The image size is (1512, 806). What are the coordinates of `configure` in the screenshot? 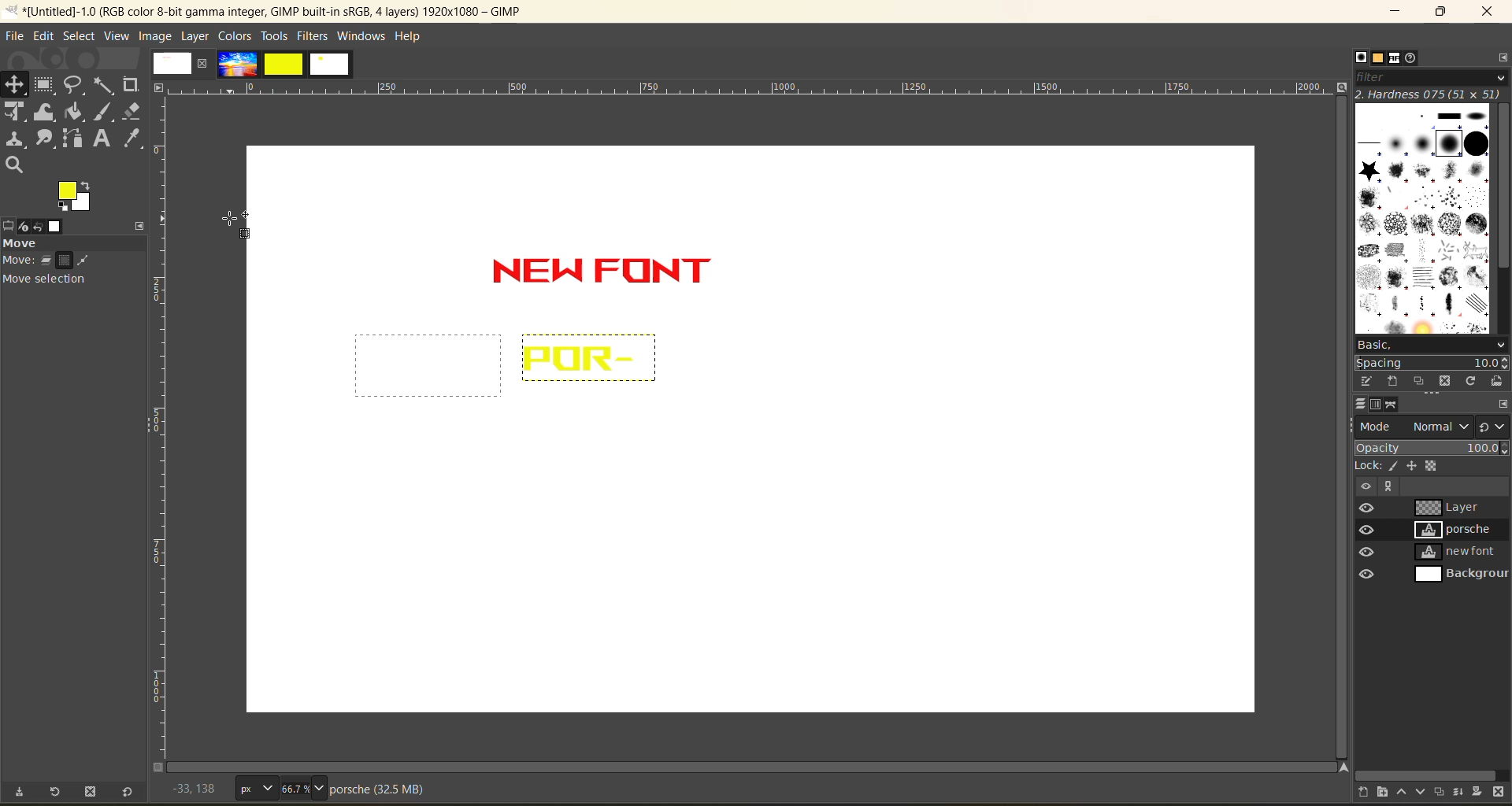 It's located at (1503, 57).